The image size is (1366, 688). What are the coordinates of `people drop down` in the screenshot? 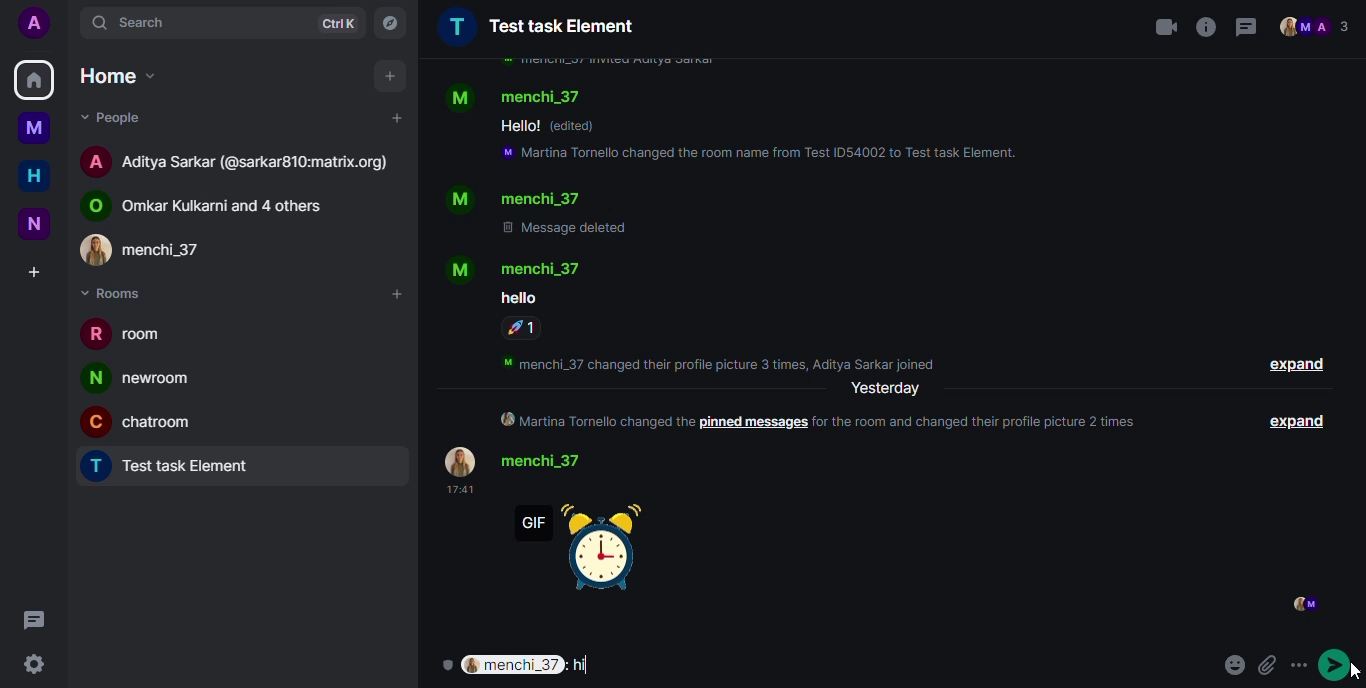 It's located at (117, 118).